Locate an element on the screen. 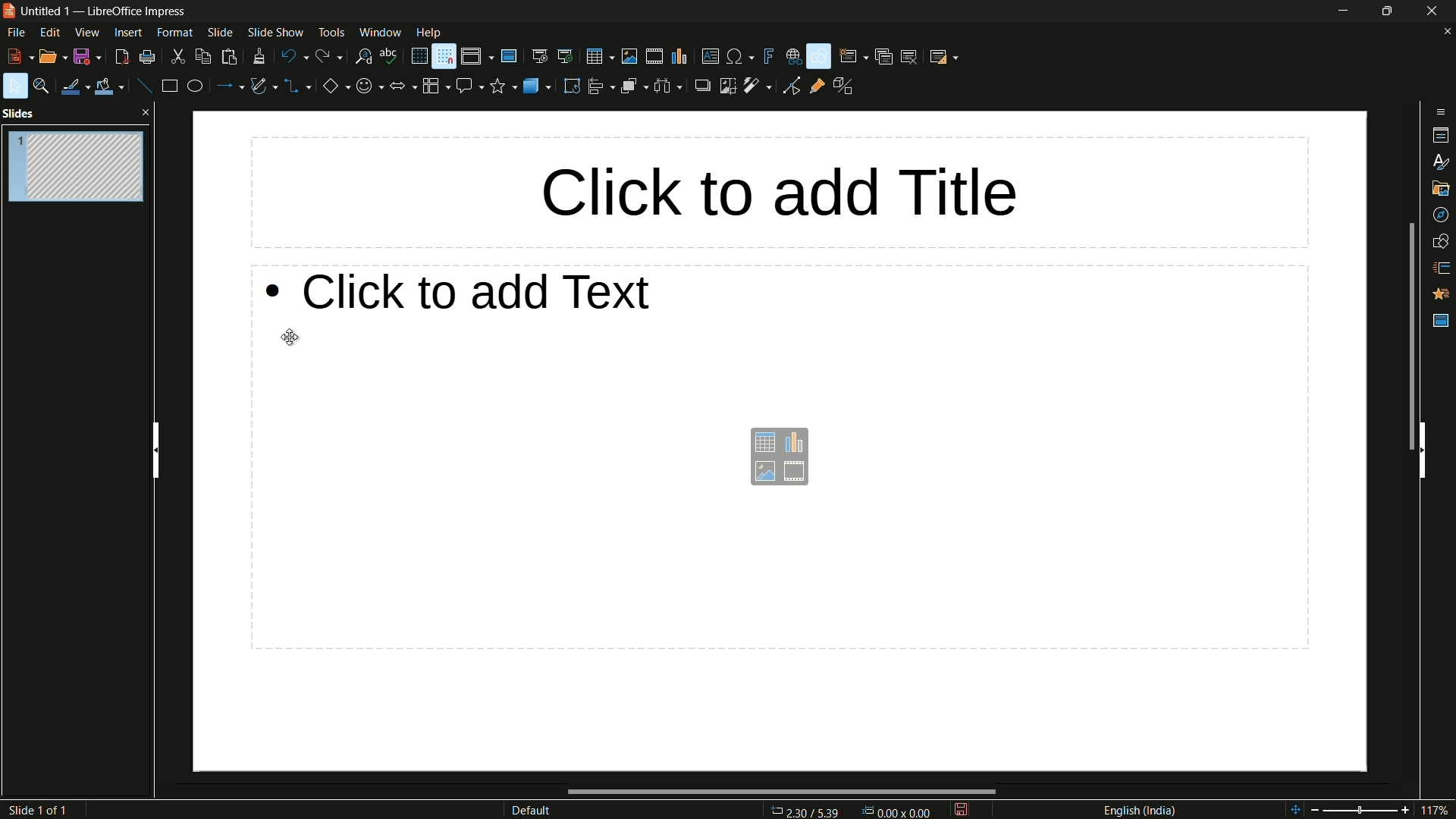 The image size is (1456, 819). cut is located at coordinates (176, 58).